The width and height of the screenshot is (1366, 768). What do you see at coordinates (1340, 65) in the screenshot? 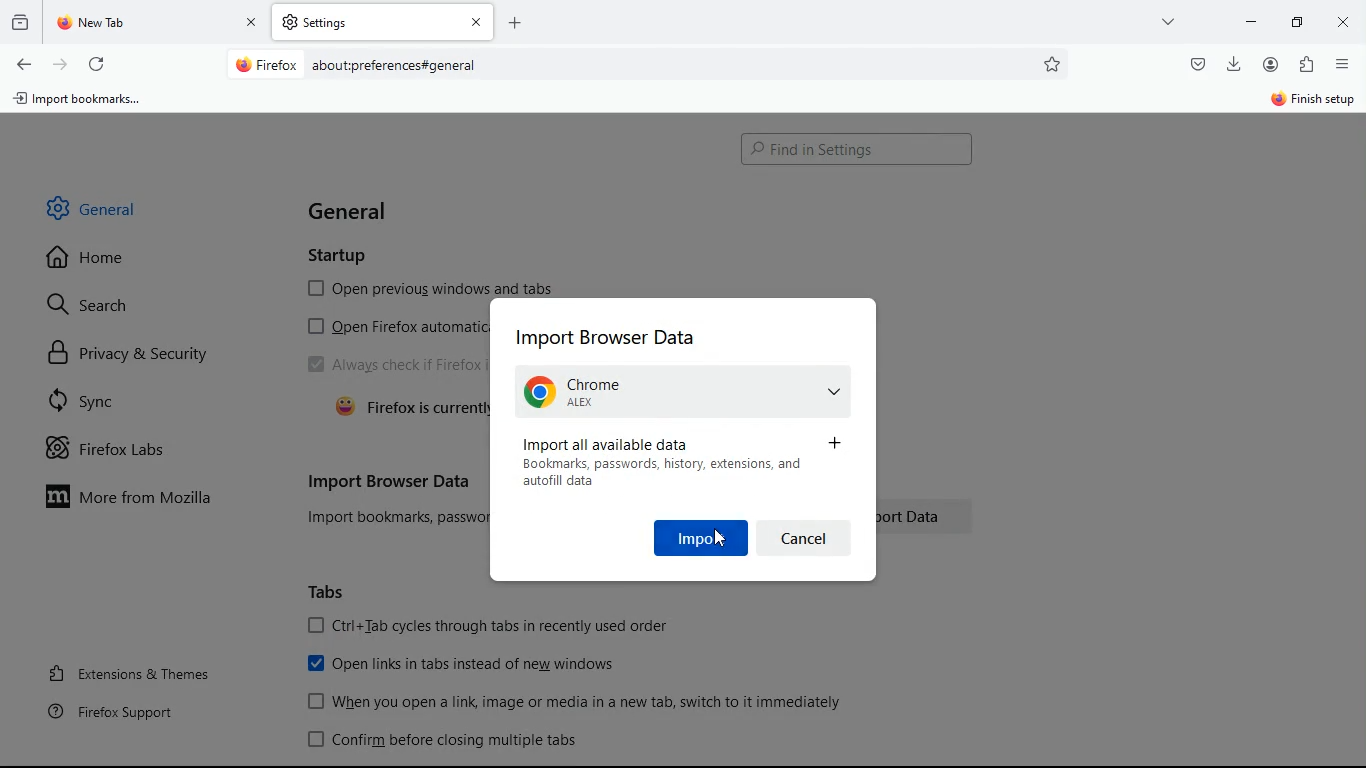
I see `menu` at bounding box center [1340, 65].